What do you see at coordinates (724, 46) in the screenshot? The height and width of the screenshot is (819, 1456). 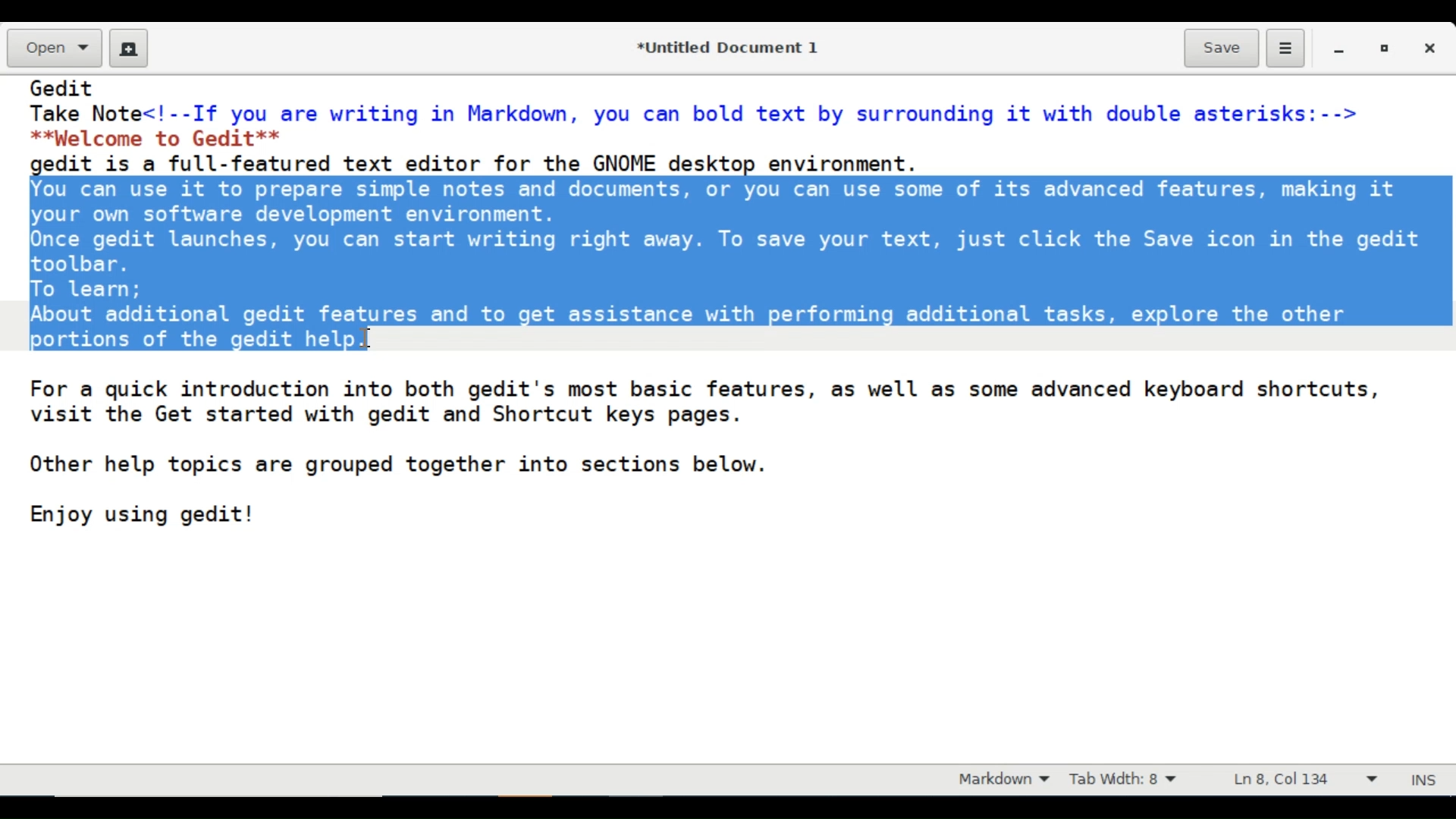 I see `Untitled  document` at bounding box center [724, 46].